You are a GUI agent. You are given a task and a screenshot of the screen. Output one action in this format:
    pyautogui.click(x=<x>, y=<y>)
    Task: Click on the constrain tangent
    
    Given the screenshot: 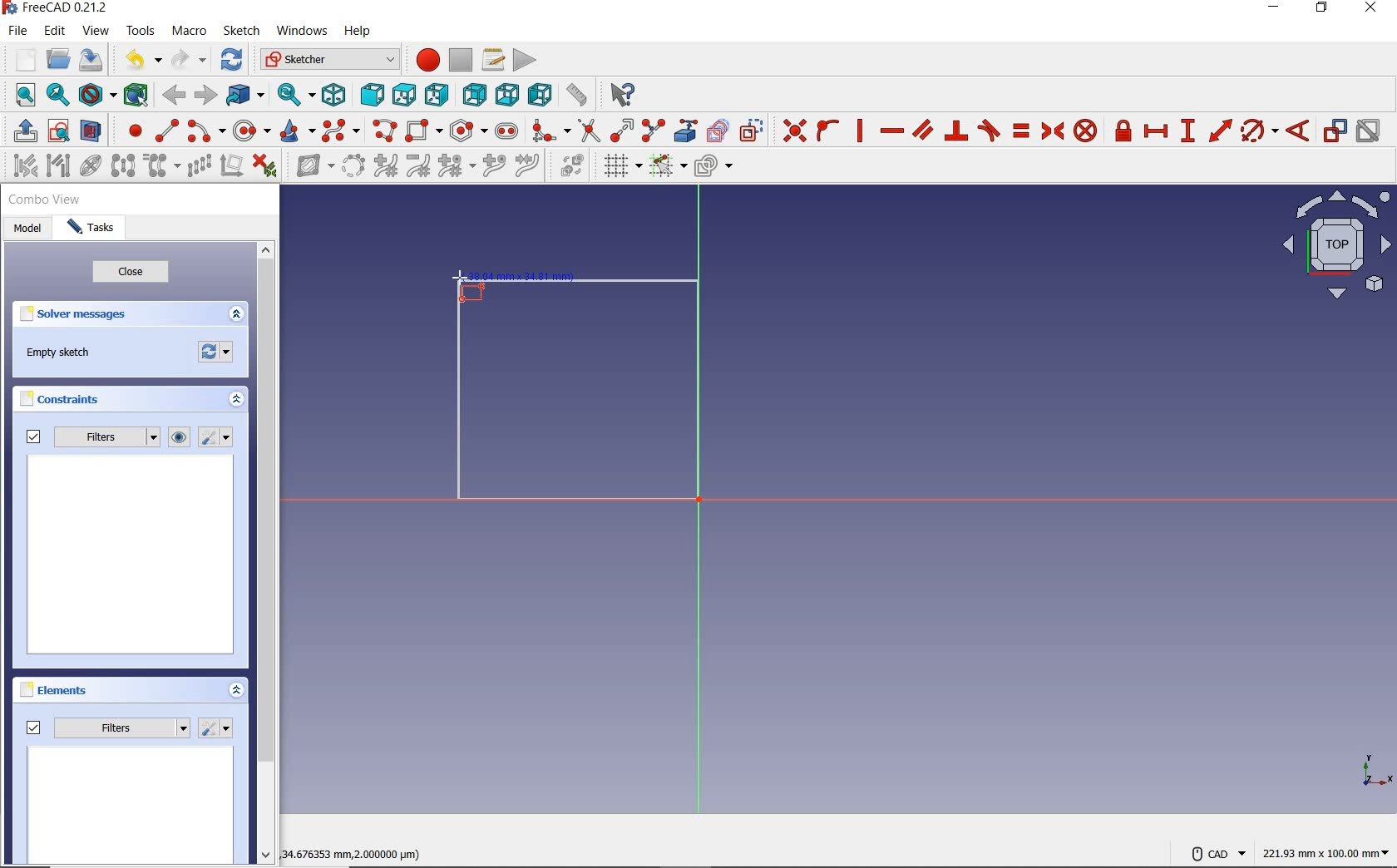 What is the action you would take?
    pyautogui.click(x=989, y=131)
    